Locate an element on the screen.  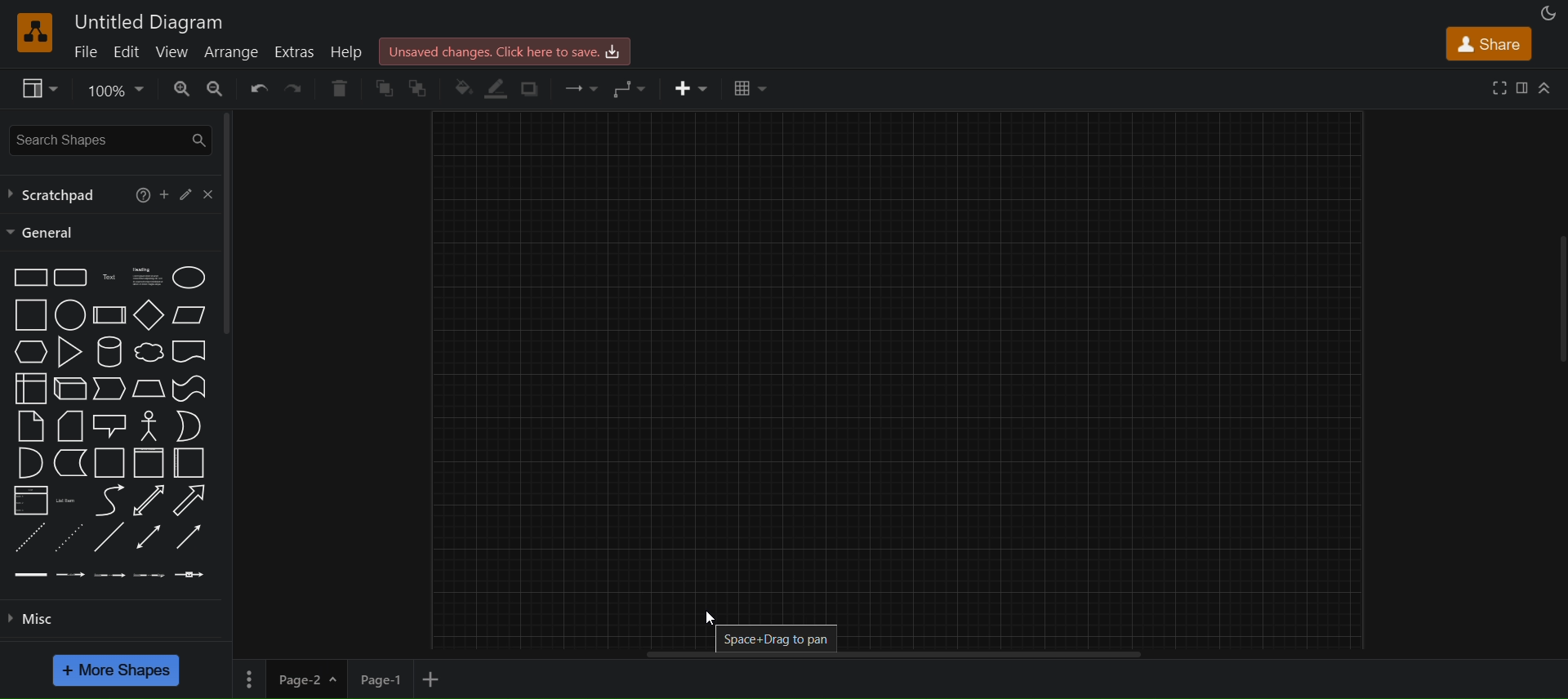
connector with 2 labels is located at coordinates (111, 572).